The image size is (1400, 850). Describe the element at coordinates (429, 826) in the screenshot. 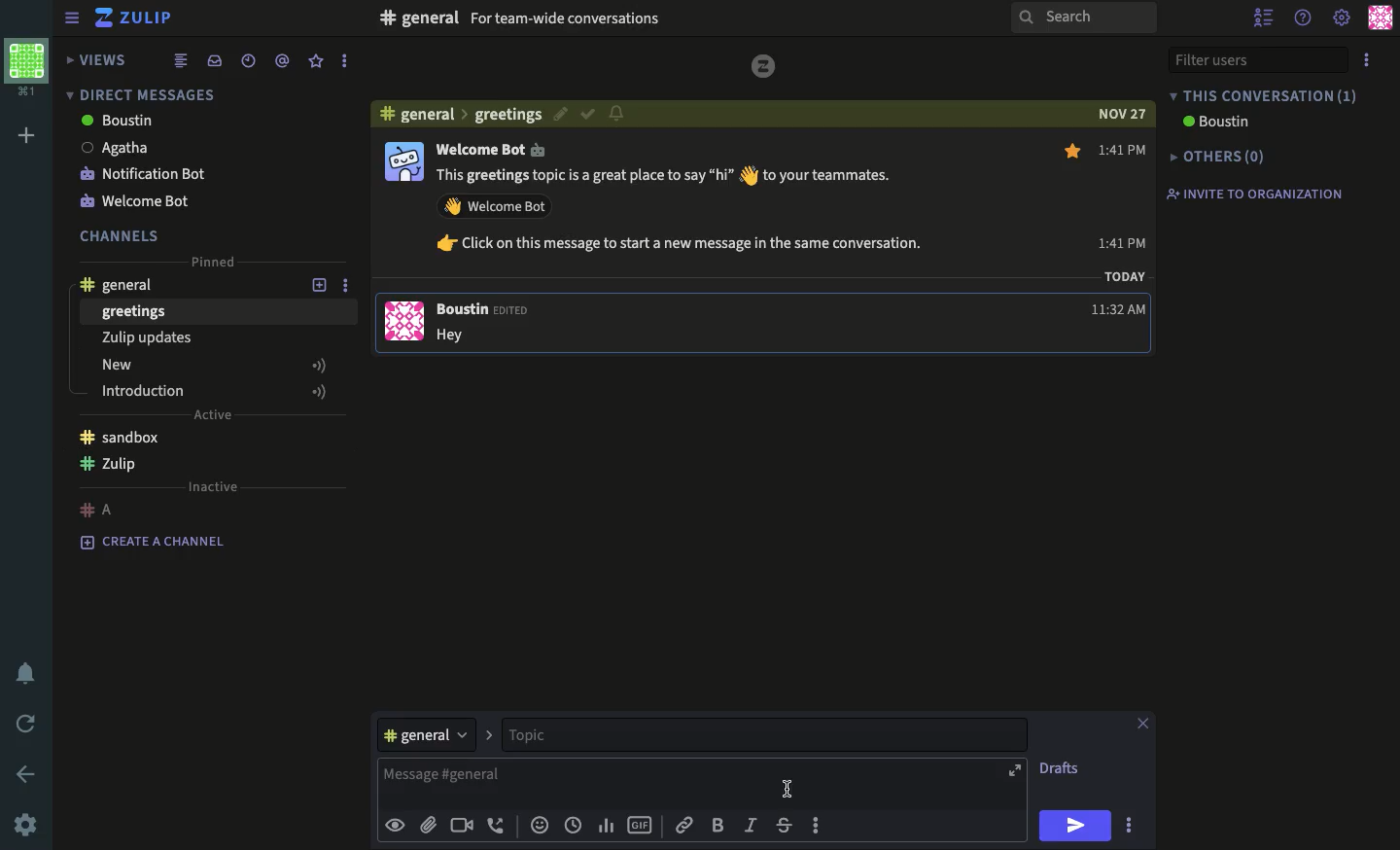

I see `attachment` at that location.